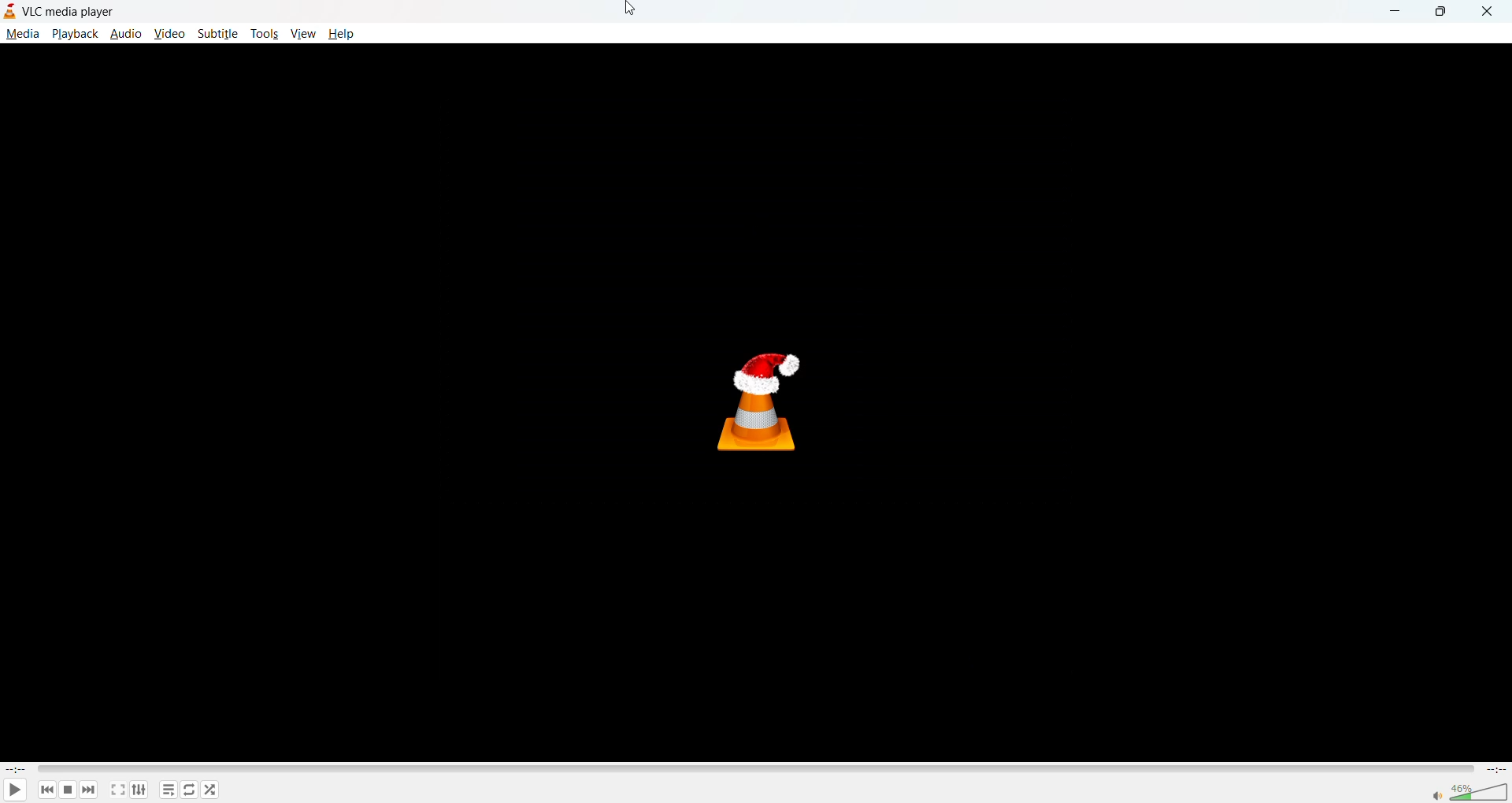 The height and width of the screenshot is (803, 1512). I want to click on minimize, so click(1397, 10).